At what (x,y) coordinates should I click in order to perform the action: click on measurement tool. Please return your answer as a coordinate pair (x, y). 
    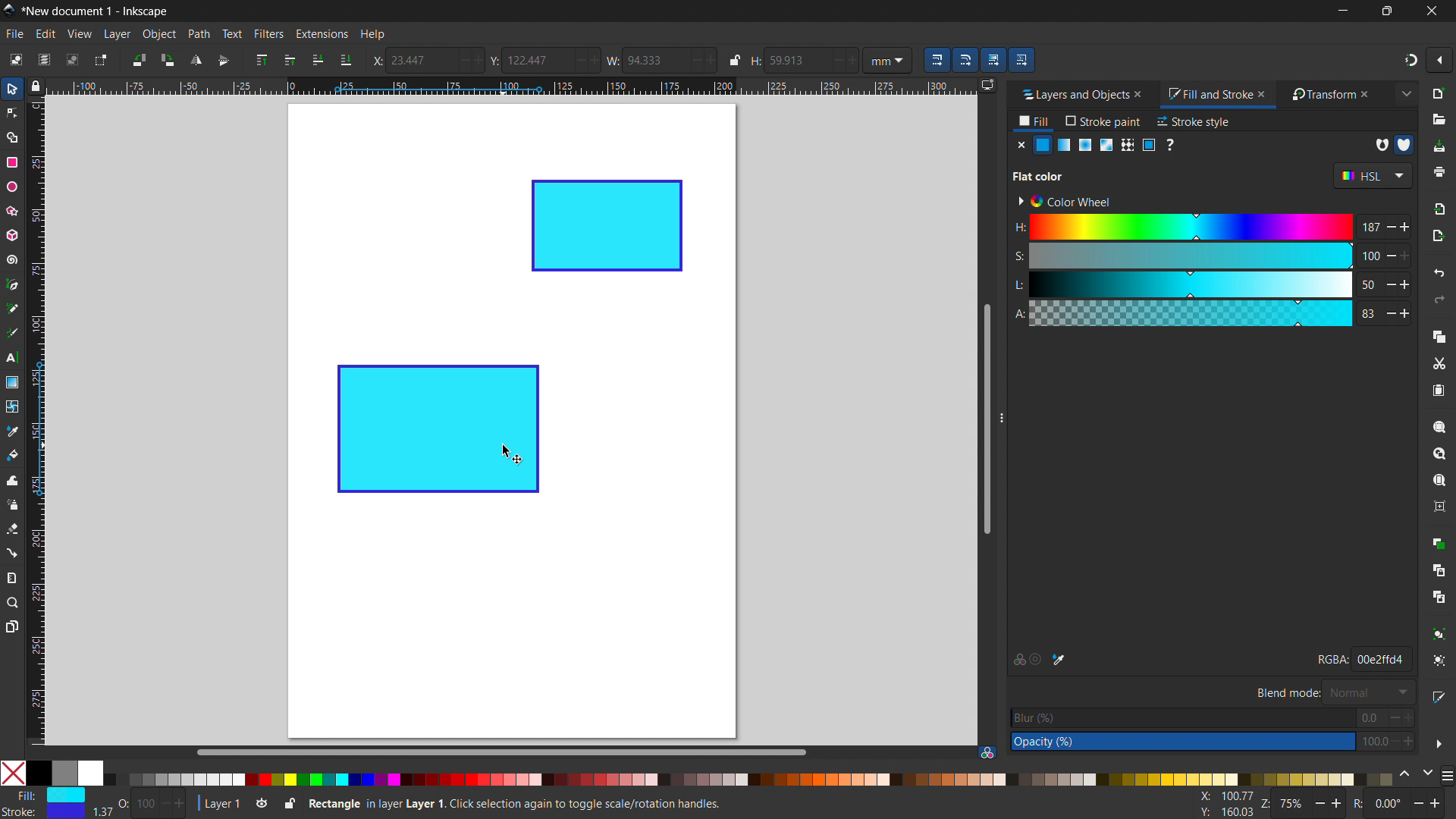
    Looking at the image, I should click on (13, 577).